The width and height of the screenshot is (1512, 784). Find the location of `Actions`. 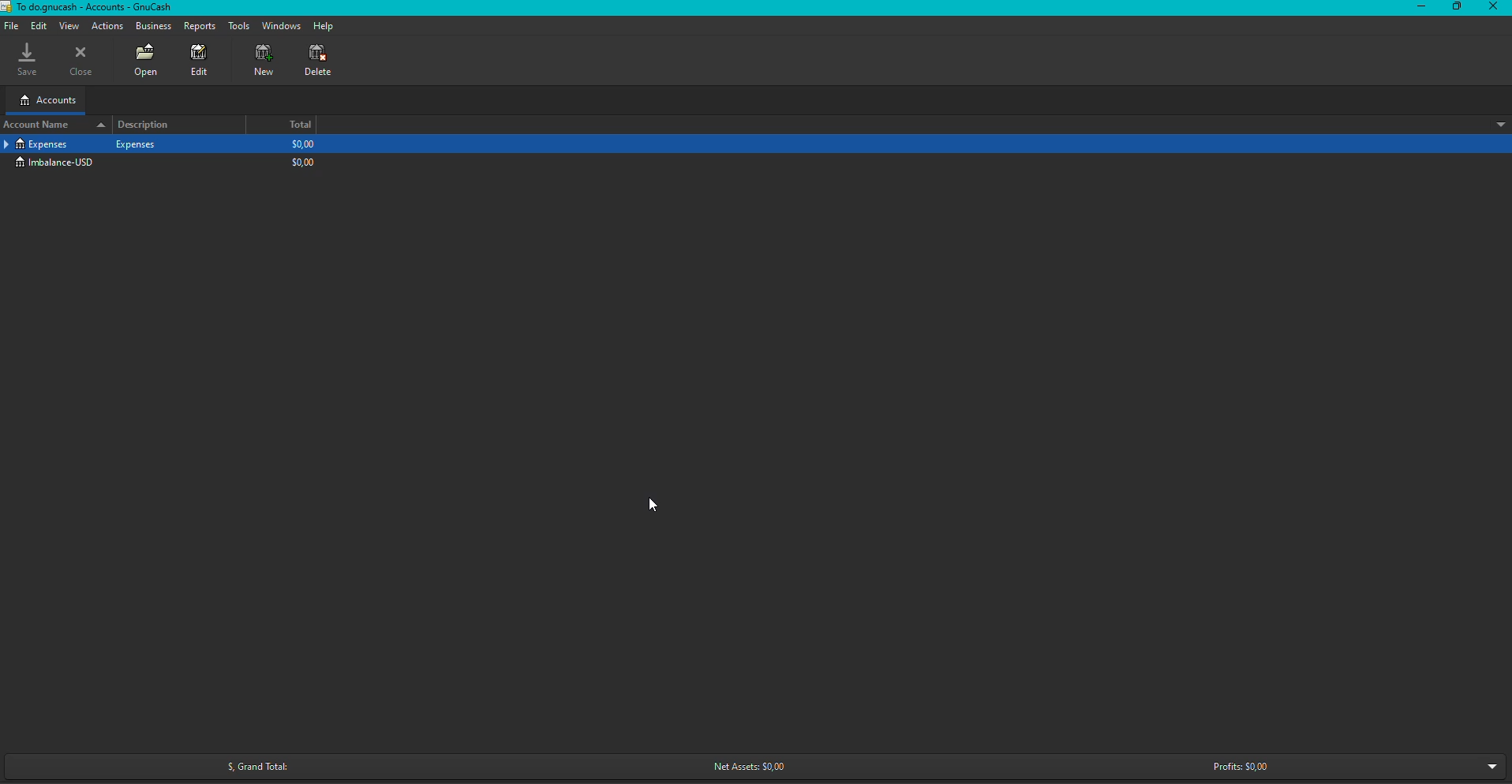

Actions is located at coordinates (109, 26).